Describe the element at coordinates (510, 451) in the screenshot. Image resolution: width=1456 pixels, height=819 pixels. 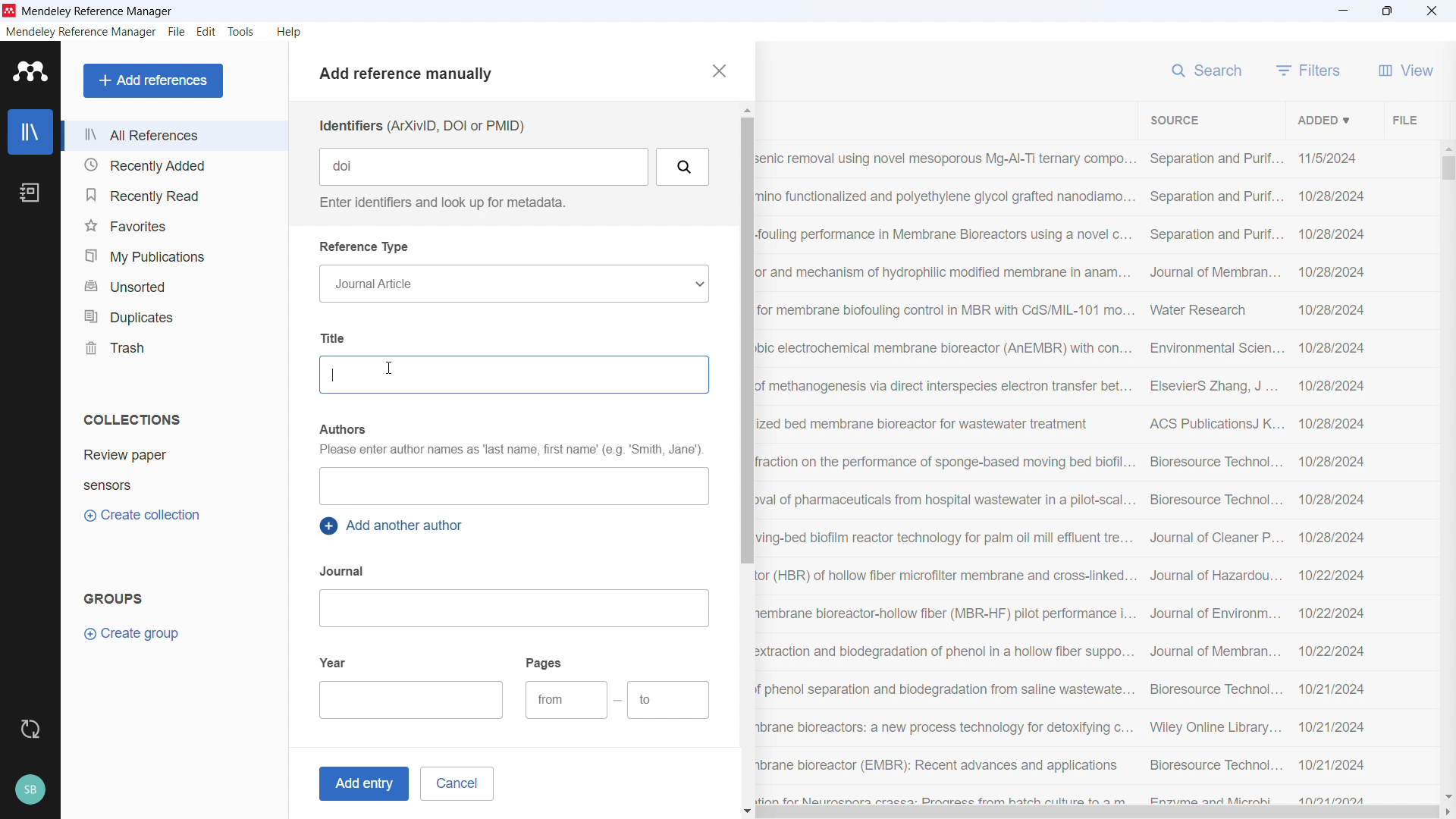
I see `Please enter author names as 'last name first name'` at that location.